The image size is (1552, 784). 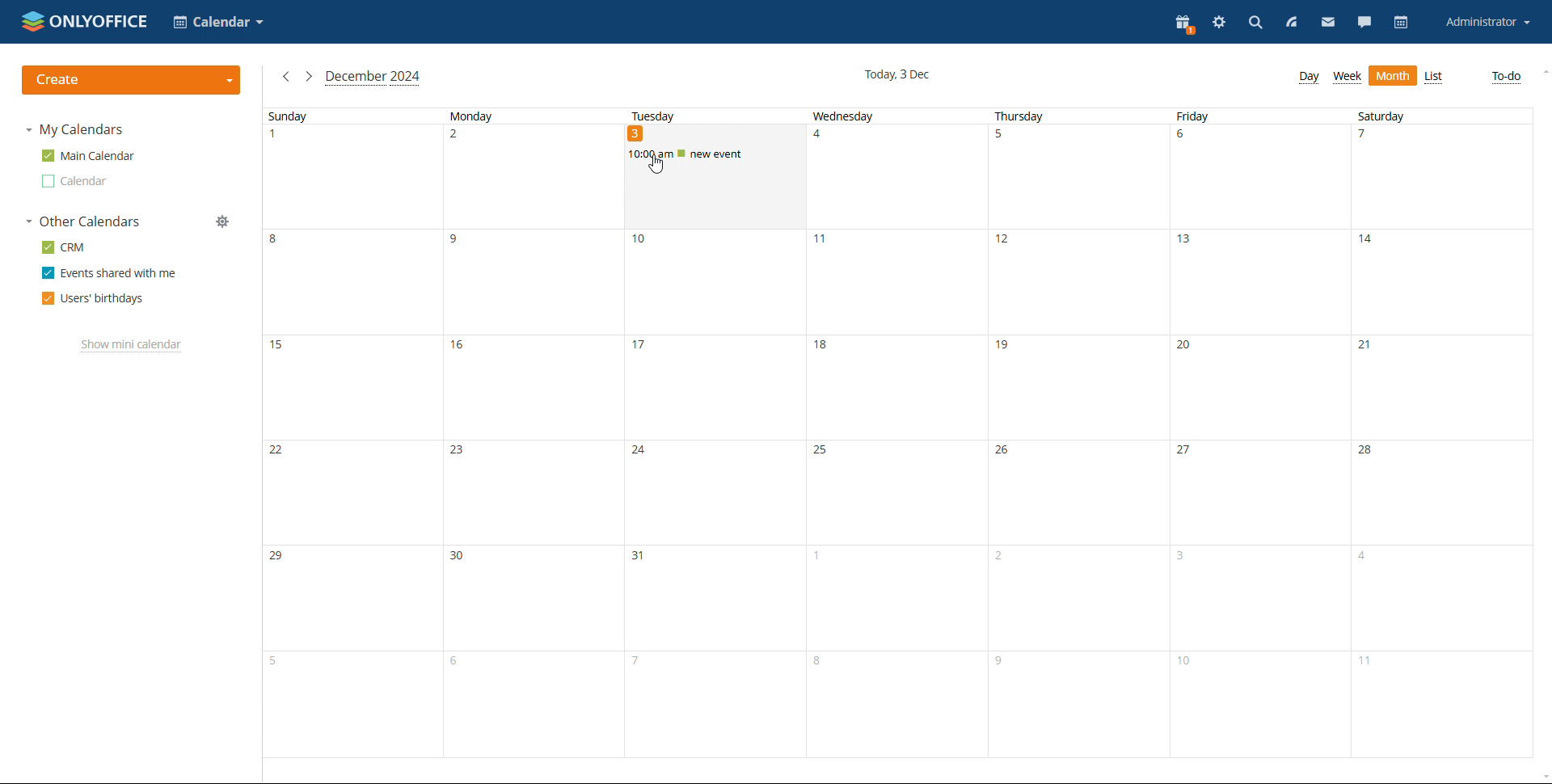 What do you see at coordinates (892, 598) in the screenshot?
I see `1` at bounding box center [892, 598].